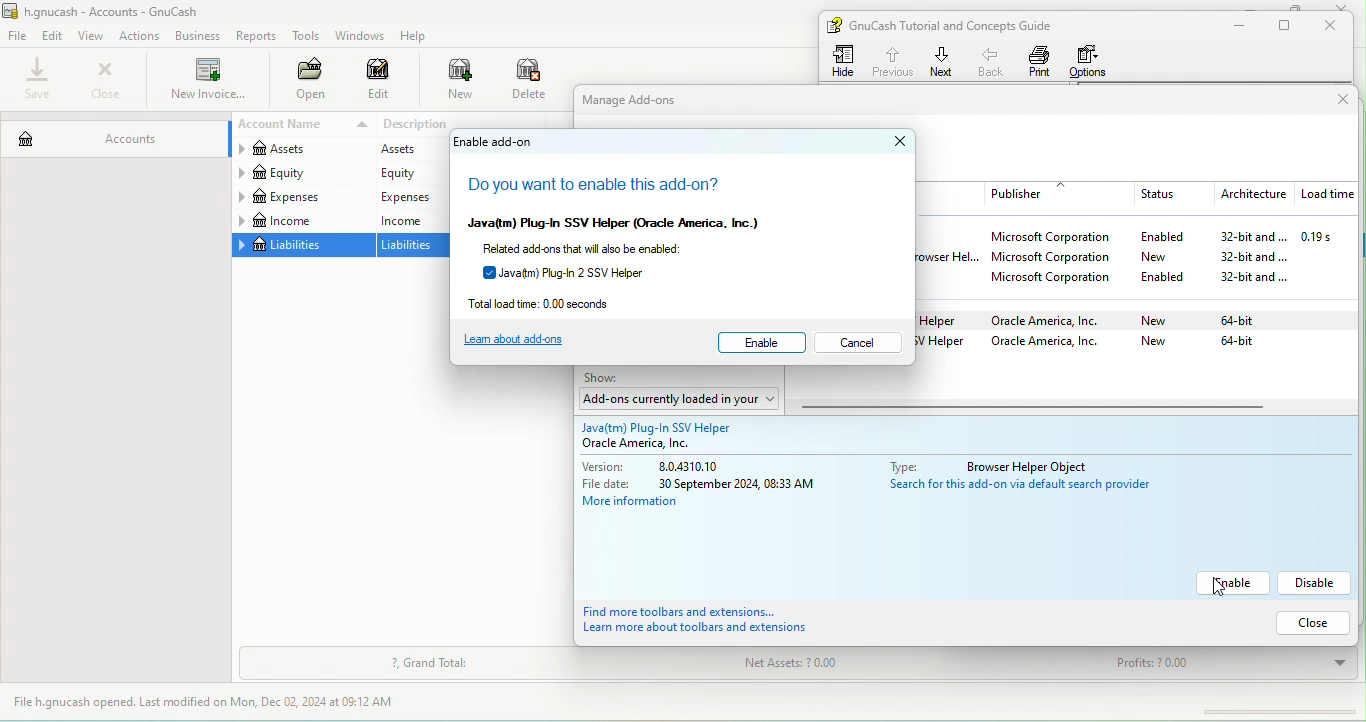 This screenshot has height=722, width=1366. I want to click on bussiness, so click(198, 36).